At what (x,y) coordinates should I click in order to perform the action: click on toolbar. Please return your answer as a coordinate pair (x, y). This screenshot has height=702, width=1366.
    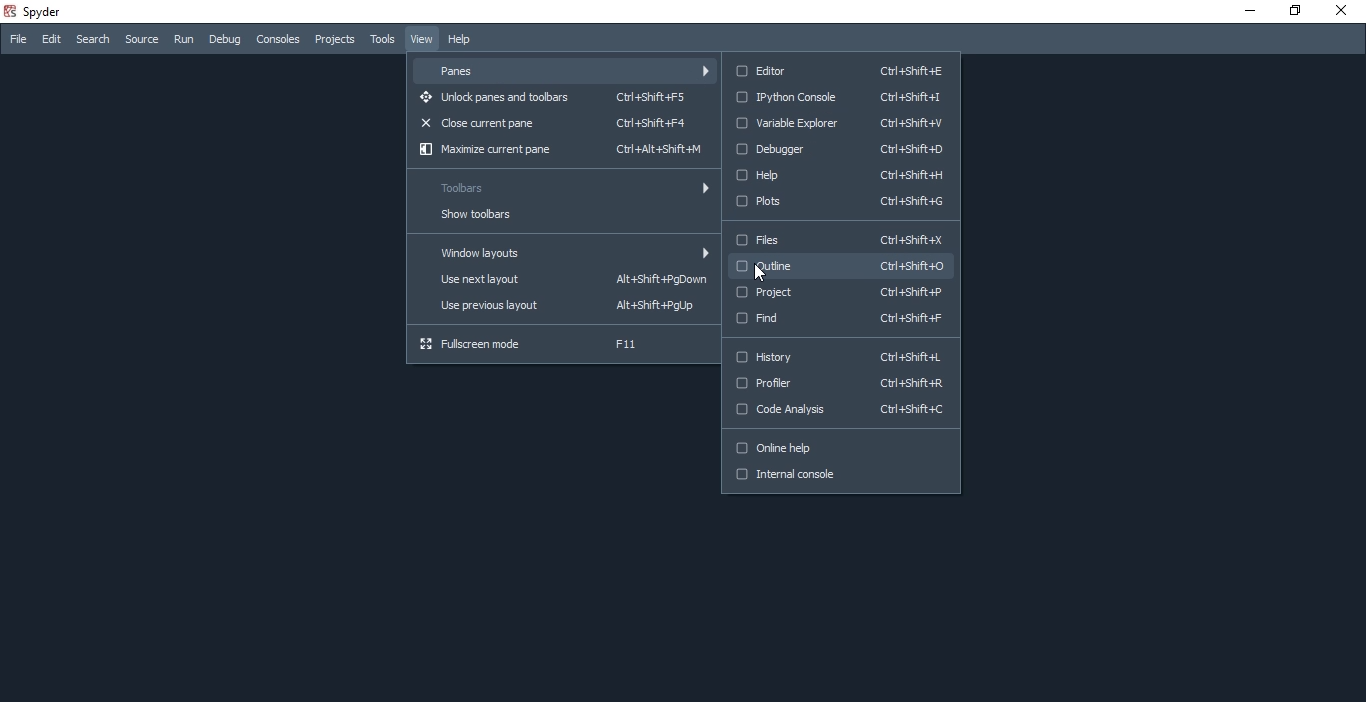
    Looking at the image, I should click on (561, 188).